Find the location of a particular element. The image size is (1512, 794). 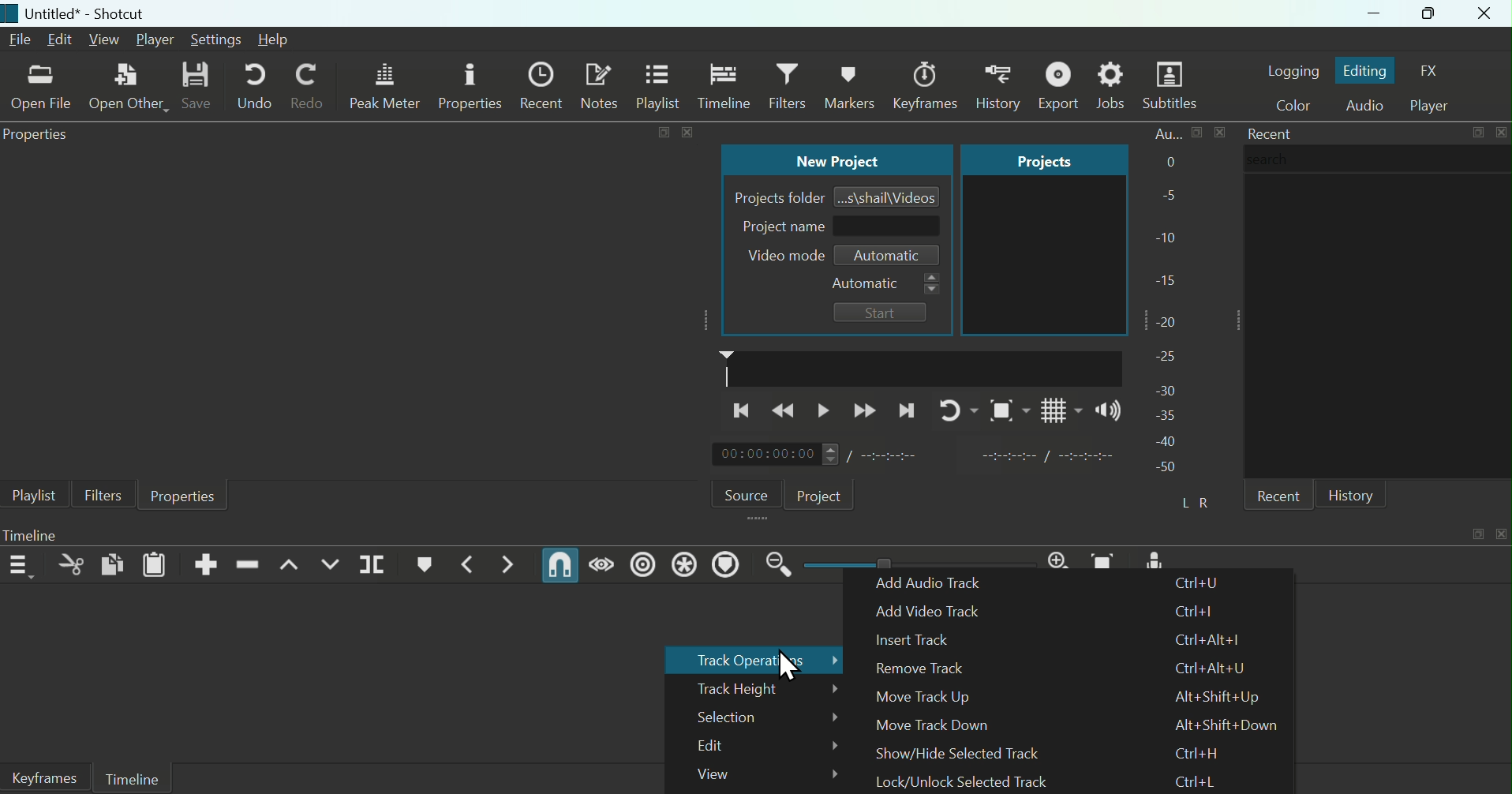

Player is located at coordinates (1436, 103).